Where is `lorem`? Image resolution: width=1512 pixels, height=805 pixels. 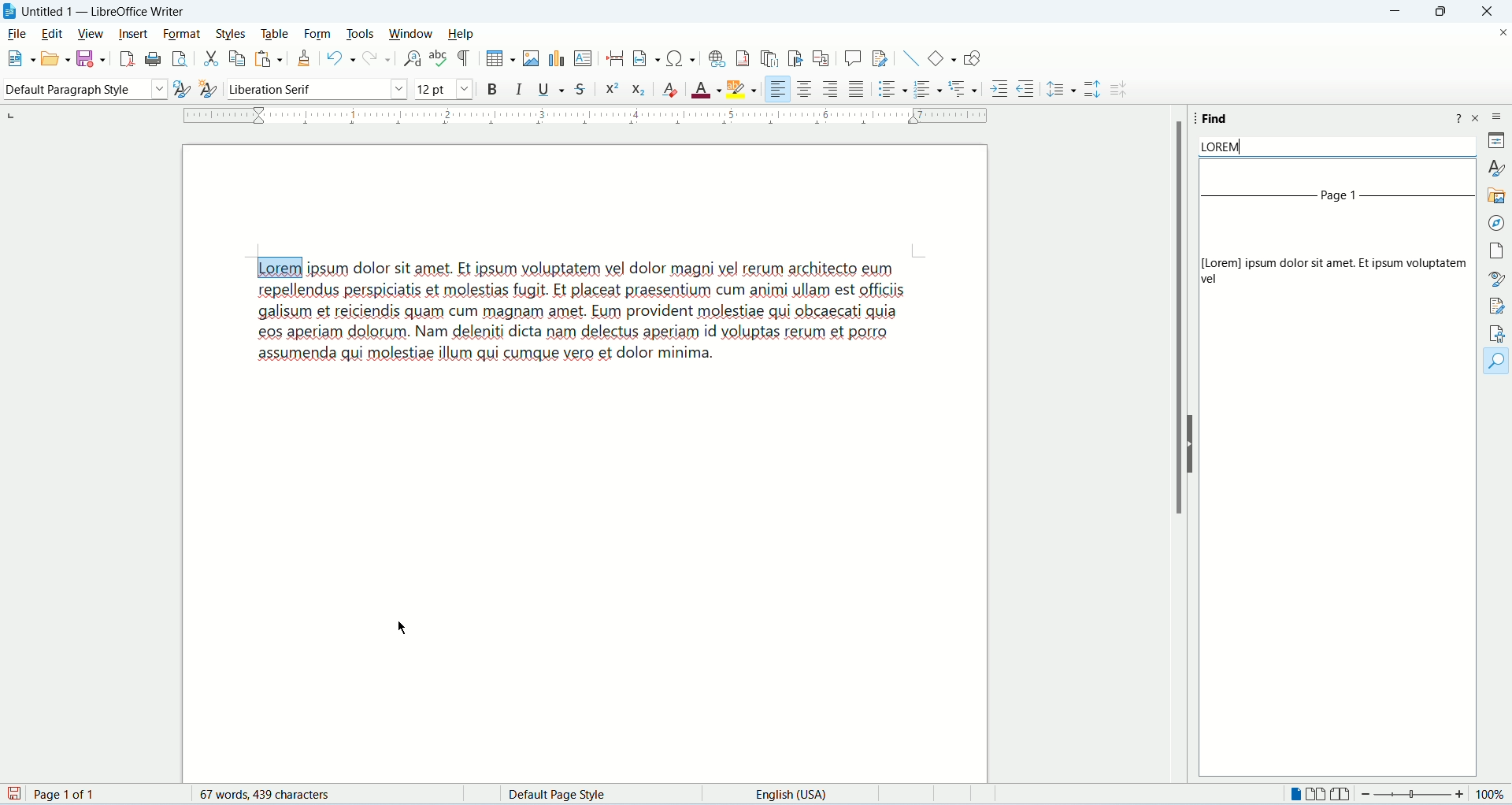 lorem is located at coordinates (1336, 148).